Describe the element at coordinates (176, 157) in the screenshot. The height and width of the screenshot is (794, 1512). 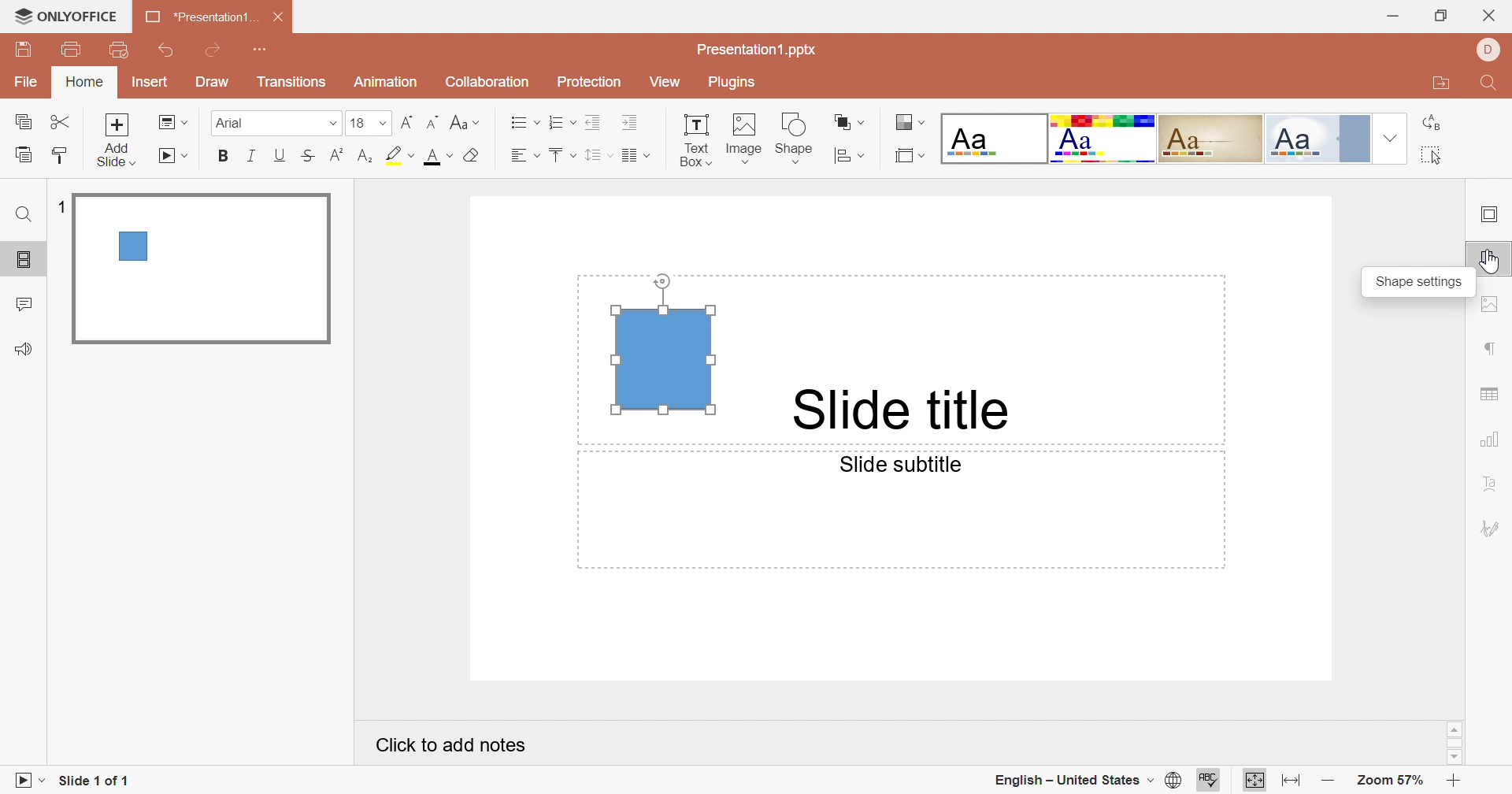
I see `Start slideshow` at that location.